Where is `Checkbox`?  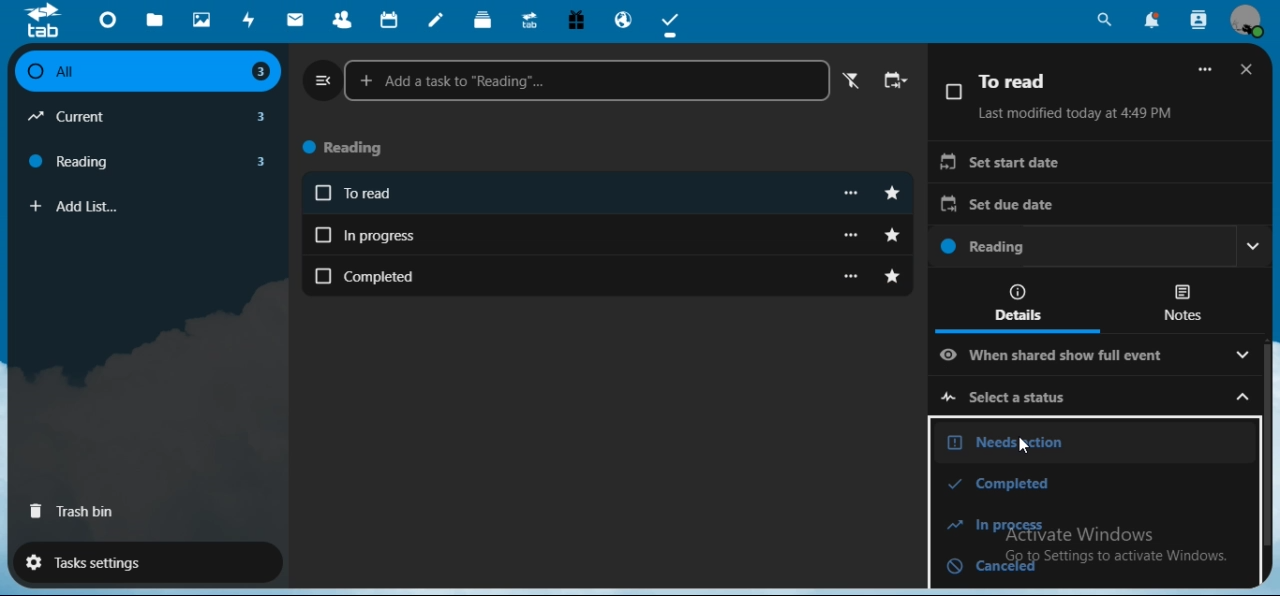
Checkbox is located at coordinates (322, 233).